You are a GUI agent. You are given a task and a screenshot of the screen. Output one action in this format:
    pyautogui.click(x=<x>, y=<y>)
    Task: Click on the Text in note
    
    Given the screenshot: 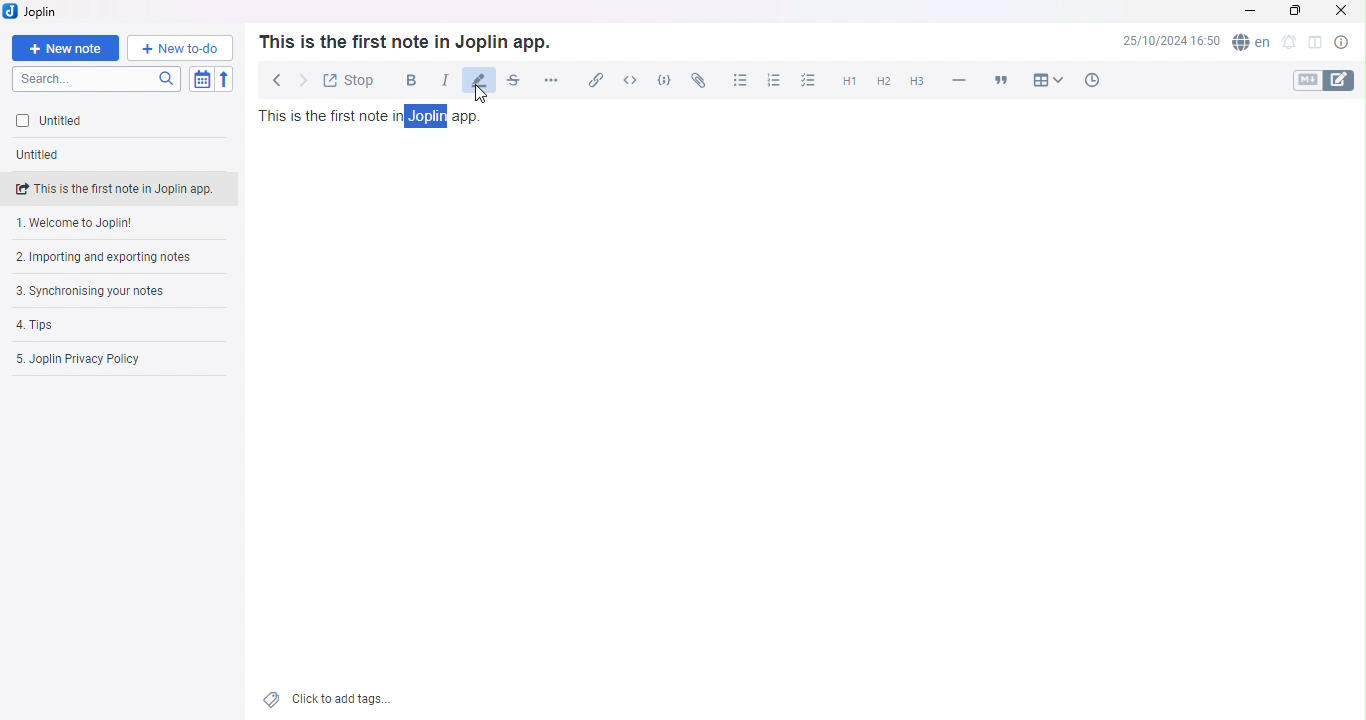 What is the action you would take?
    pyautogui.click(x=373, y=116)
    